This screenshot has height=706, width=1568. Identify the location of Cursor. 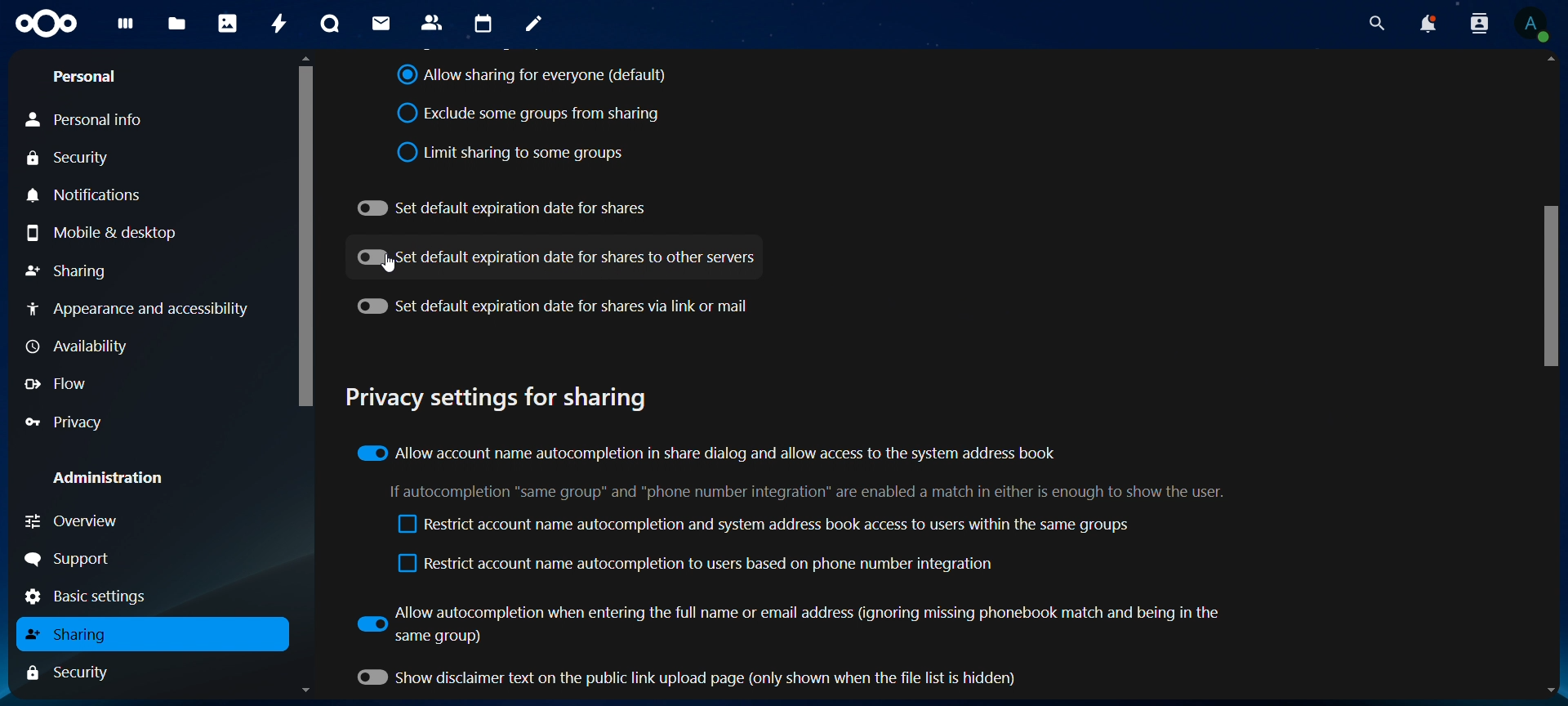
(390, 266).